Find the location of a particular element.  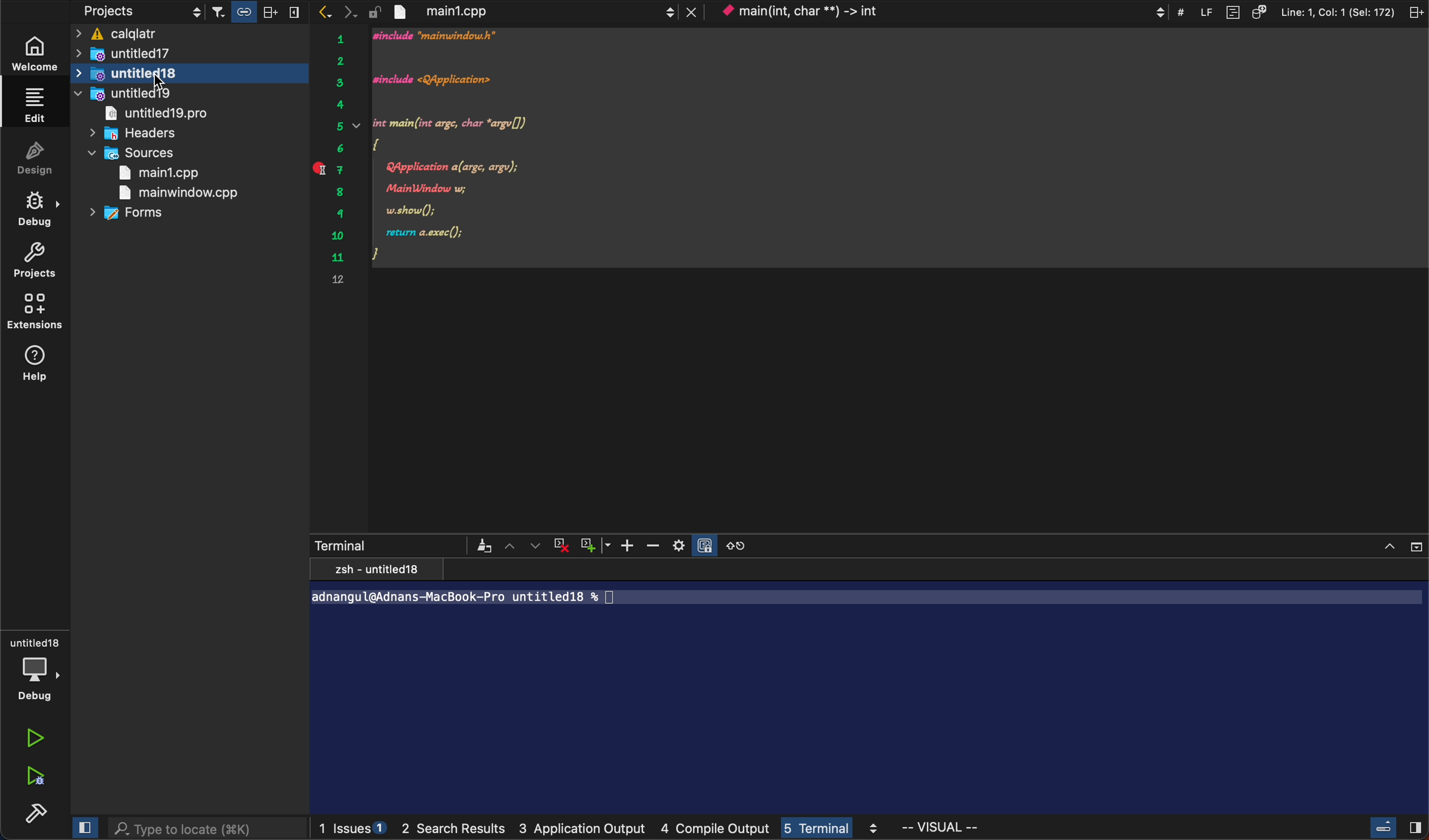

help is located at coordinates (33, 367).